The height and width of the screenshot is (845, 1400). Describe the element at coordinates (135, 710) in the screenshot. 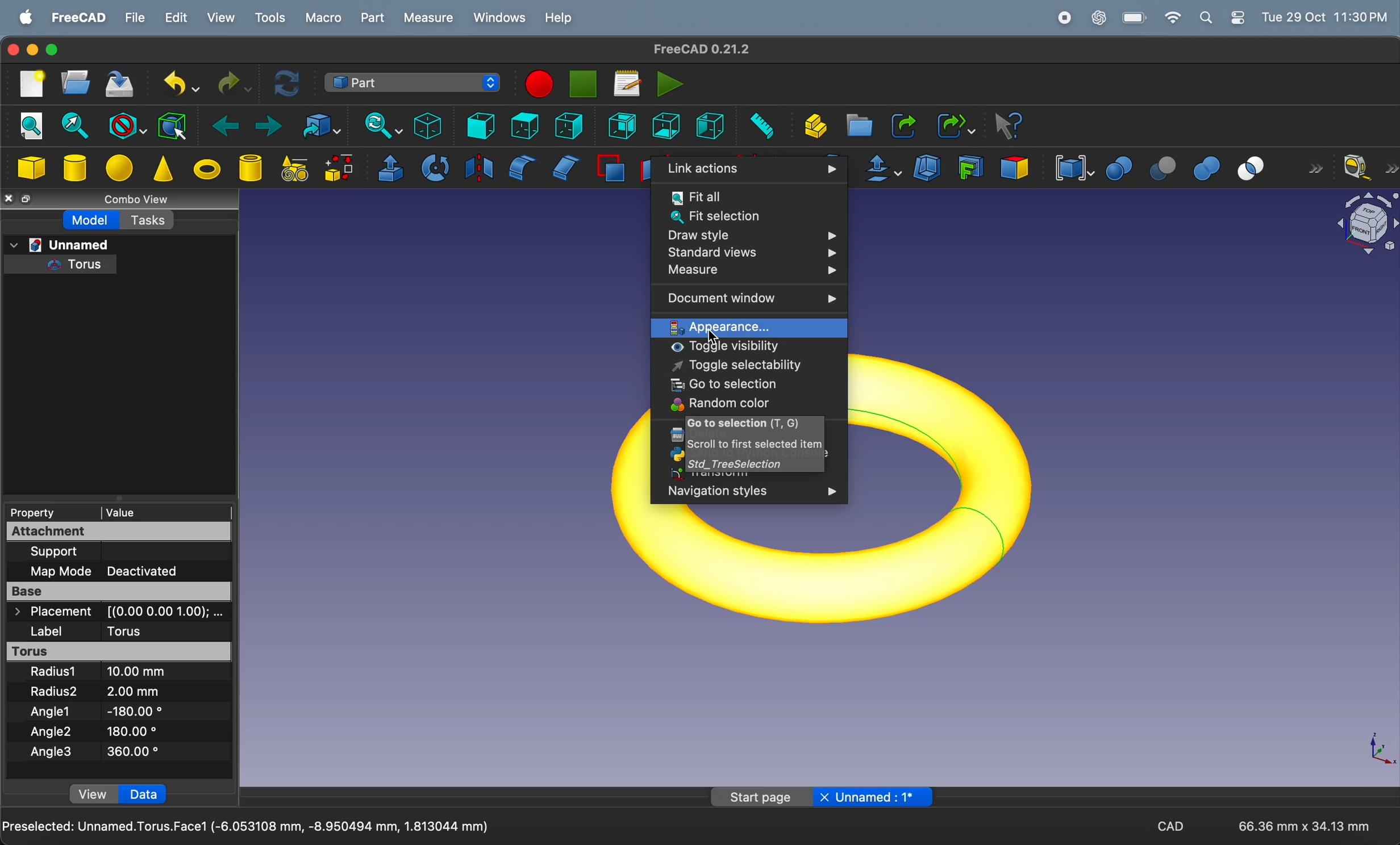

I see `-180.00` at that location.